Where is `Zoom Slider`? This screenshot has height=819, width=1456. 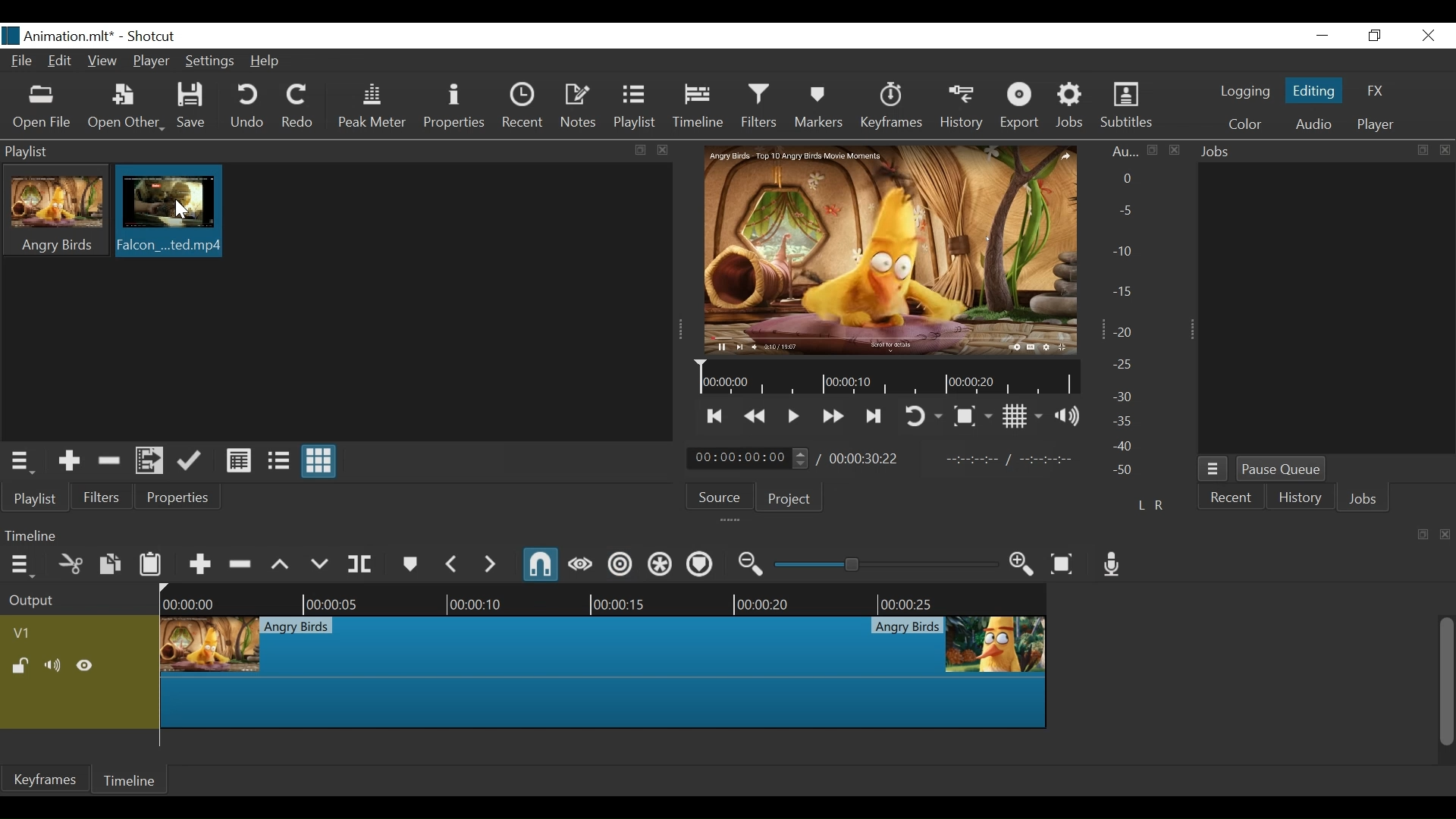 Zoom Slider is located at coordinates (886, 563).